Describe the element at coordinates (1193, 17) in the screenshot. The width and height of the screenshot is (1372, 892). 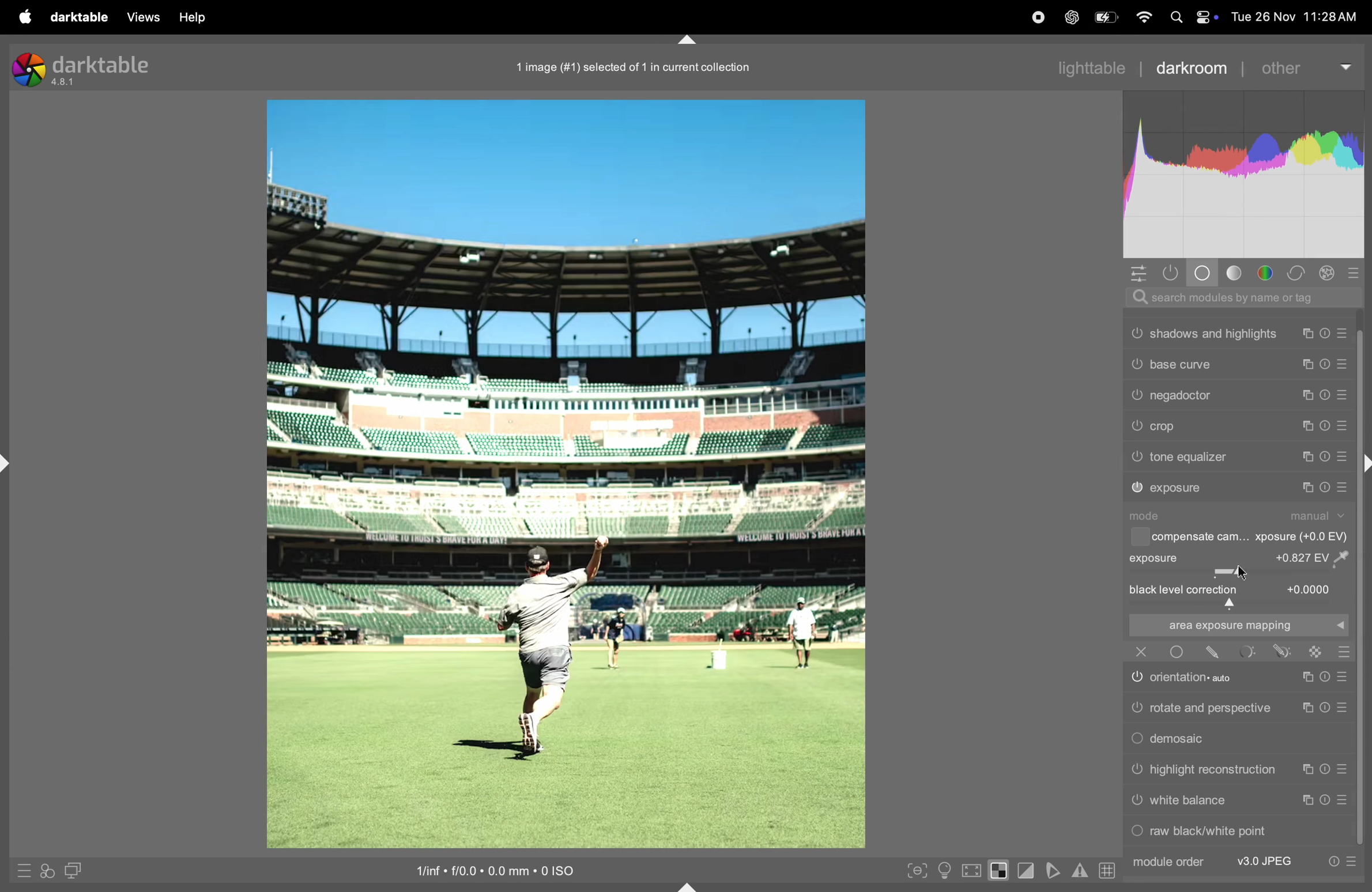
I see `apple widgets` at that location.